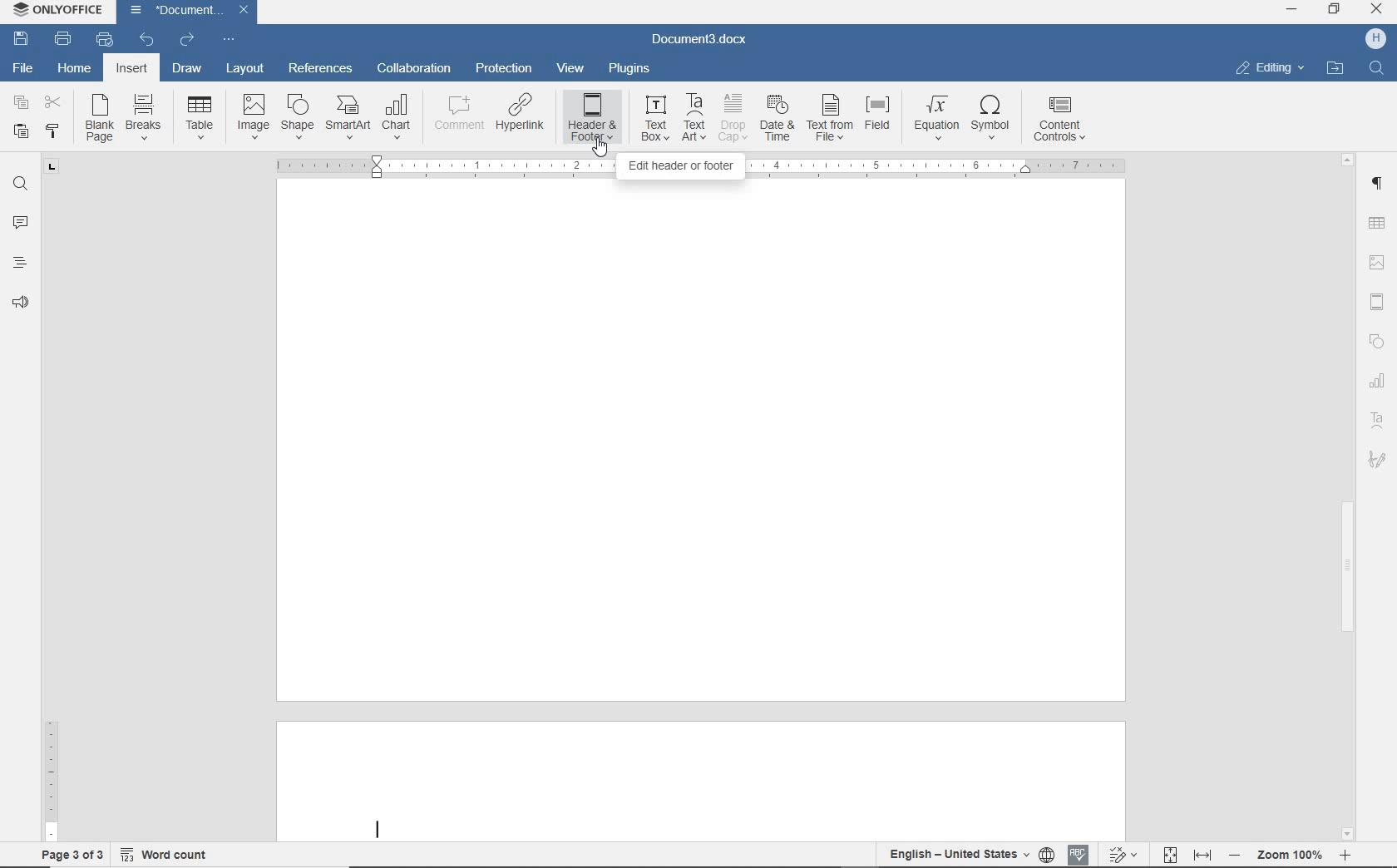 The width and height of the screenshot is (1397, 868). Describe the element at coordinates (1293, 11) in the screenshot. I see `MINIMIZE` at that location.